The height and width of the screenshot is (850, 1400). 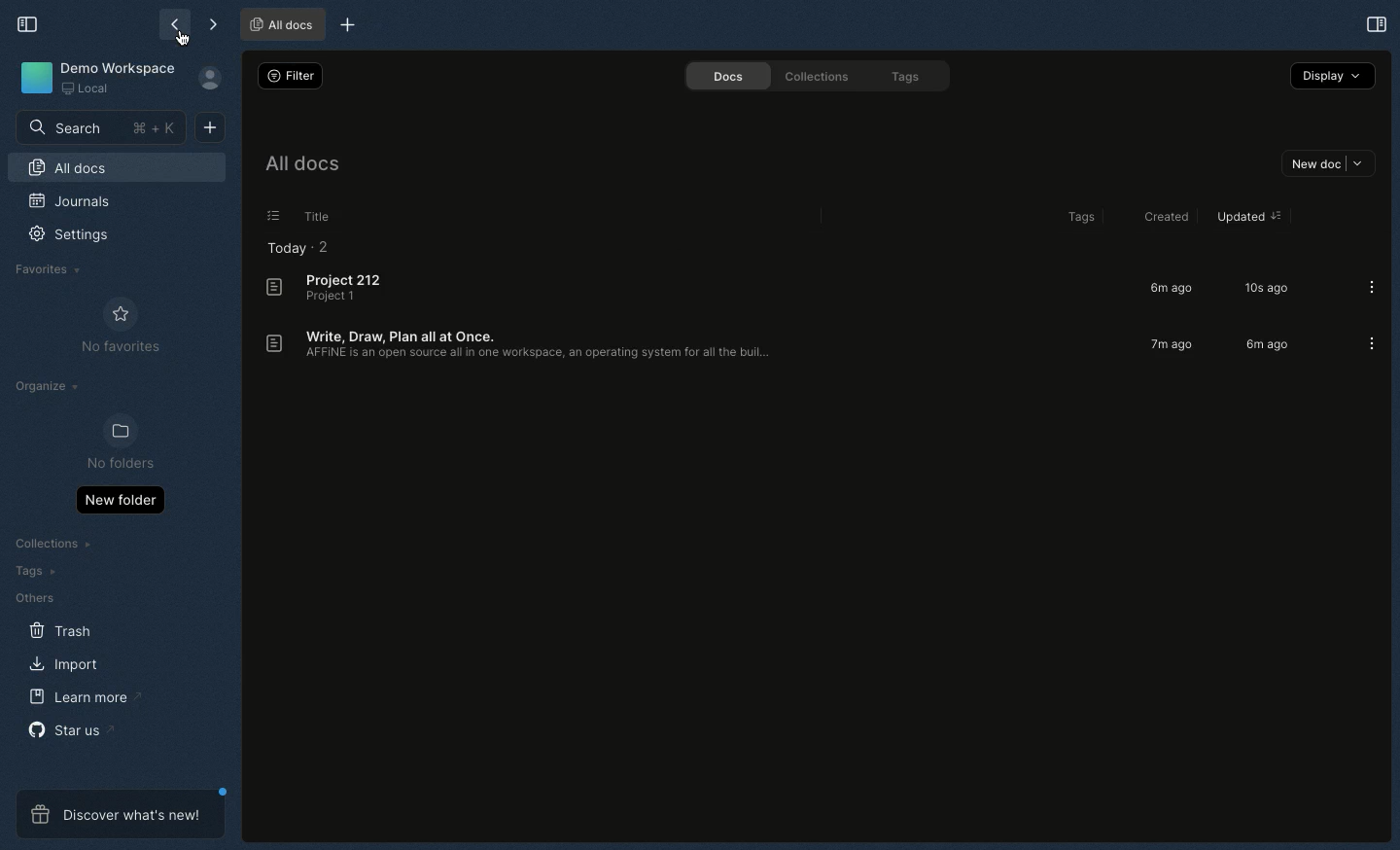 What do you see at coordinates (1376, 24) in the screenshot?
I see `Selection` at bounding box center [1376, 24].